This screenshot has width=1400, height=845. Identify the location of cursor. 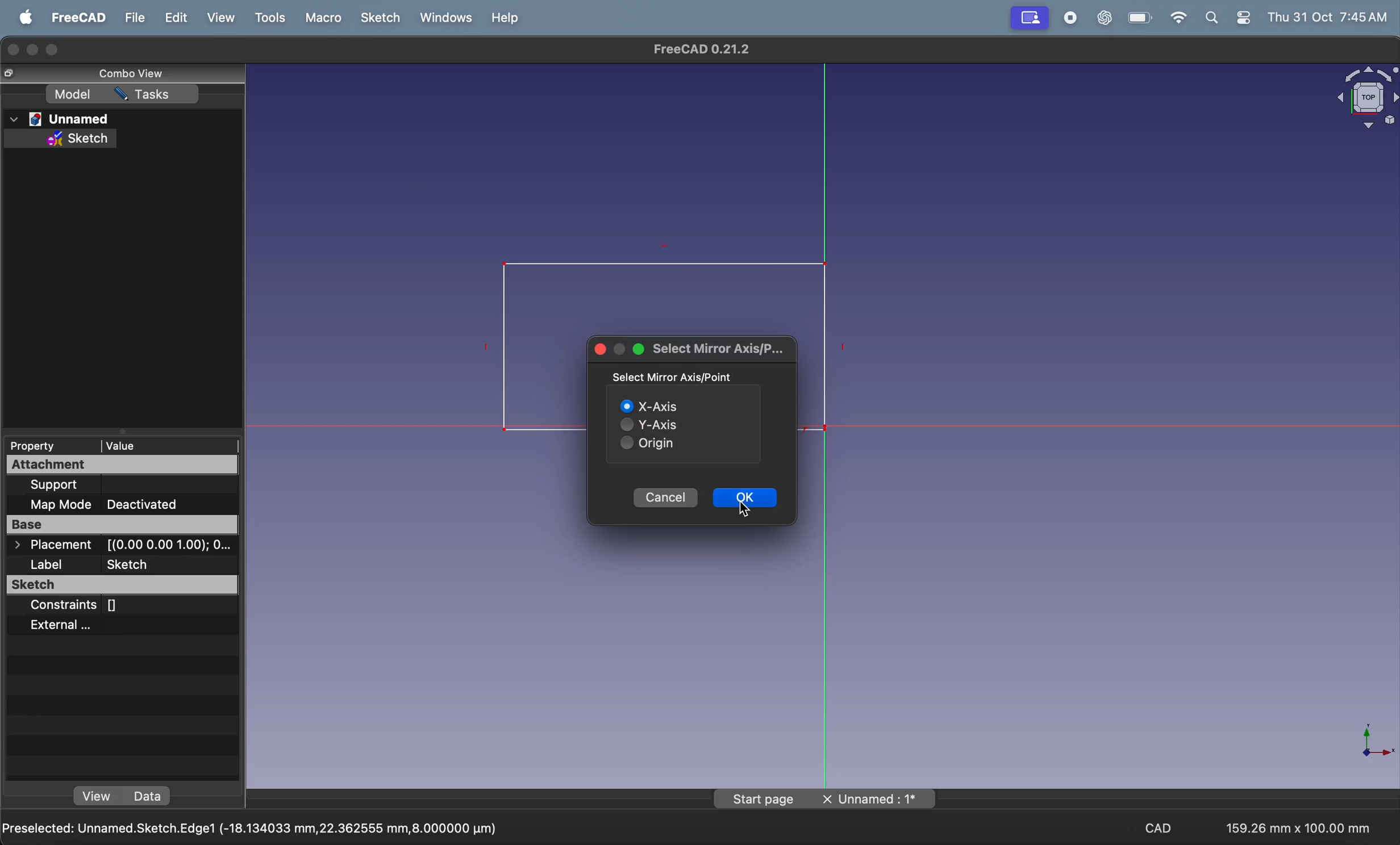
(746, 513).